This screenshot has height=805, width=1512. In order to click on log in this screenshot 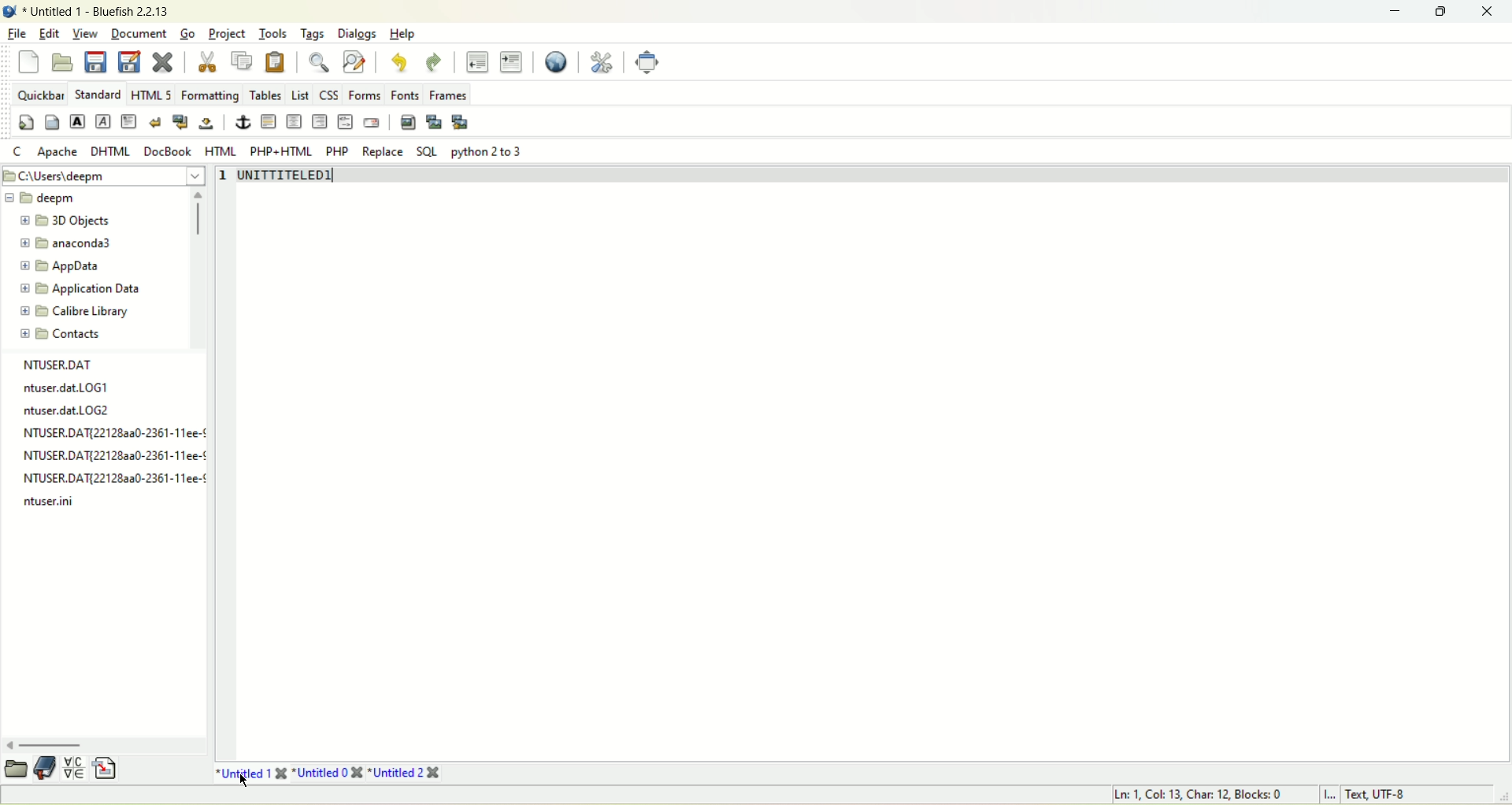, I will do `click(72, 412)`.